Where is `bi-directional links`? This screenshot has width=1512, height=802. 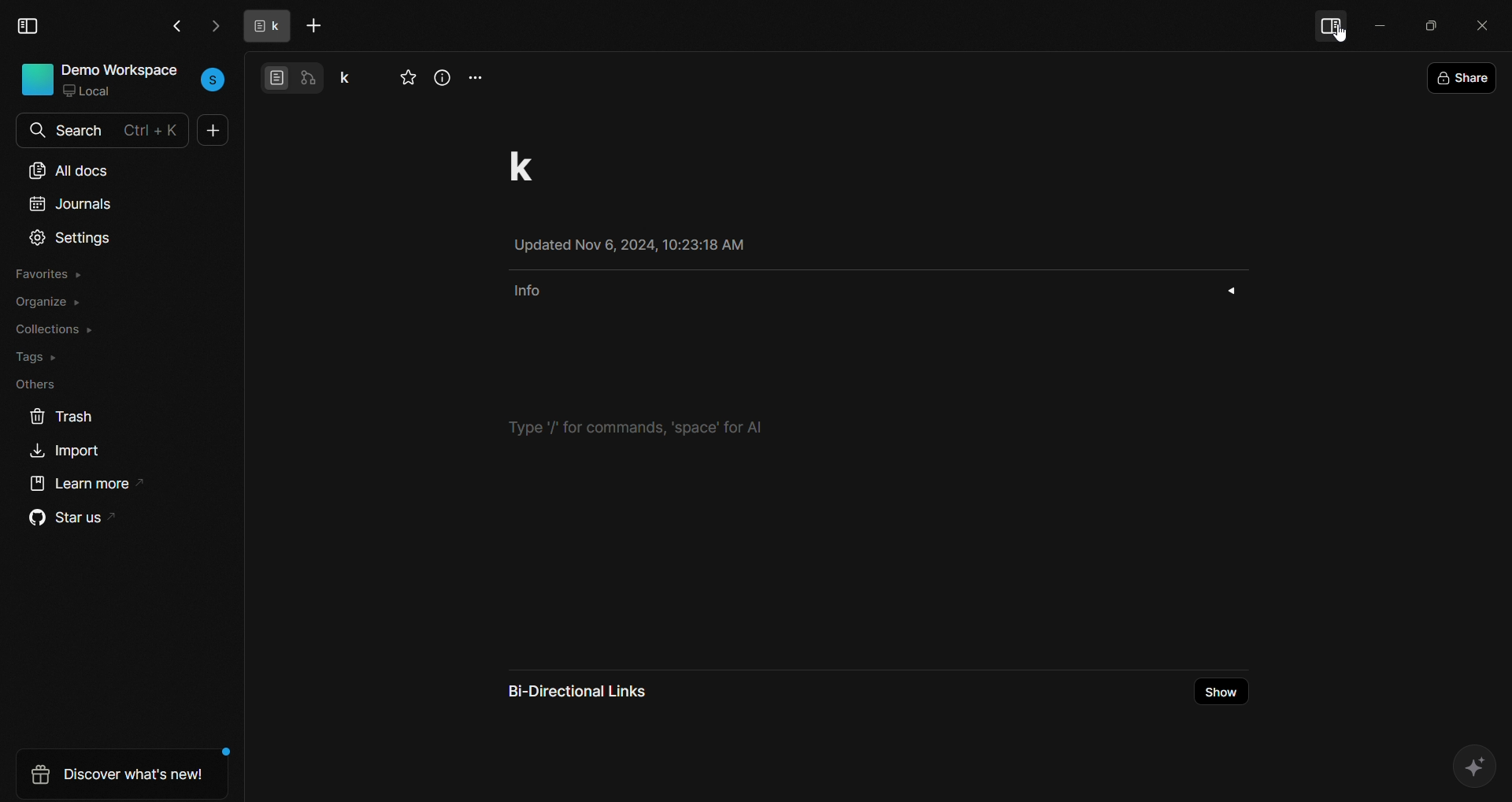 bi-directional links is located at coordinates (580, 690).